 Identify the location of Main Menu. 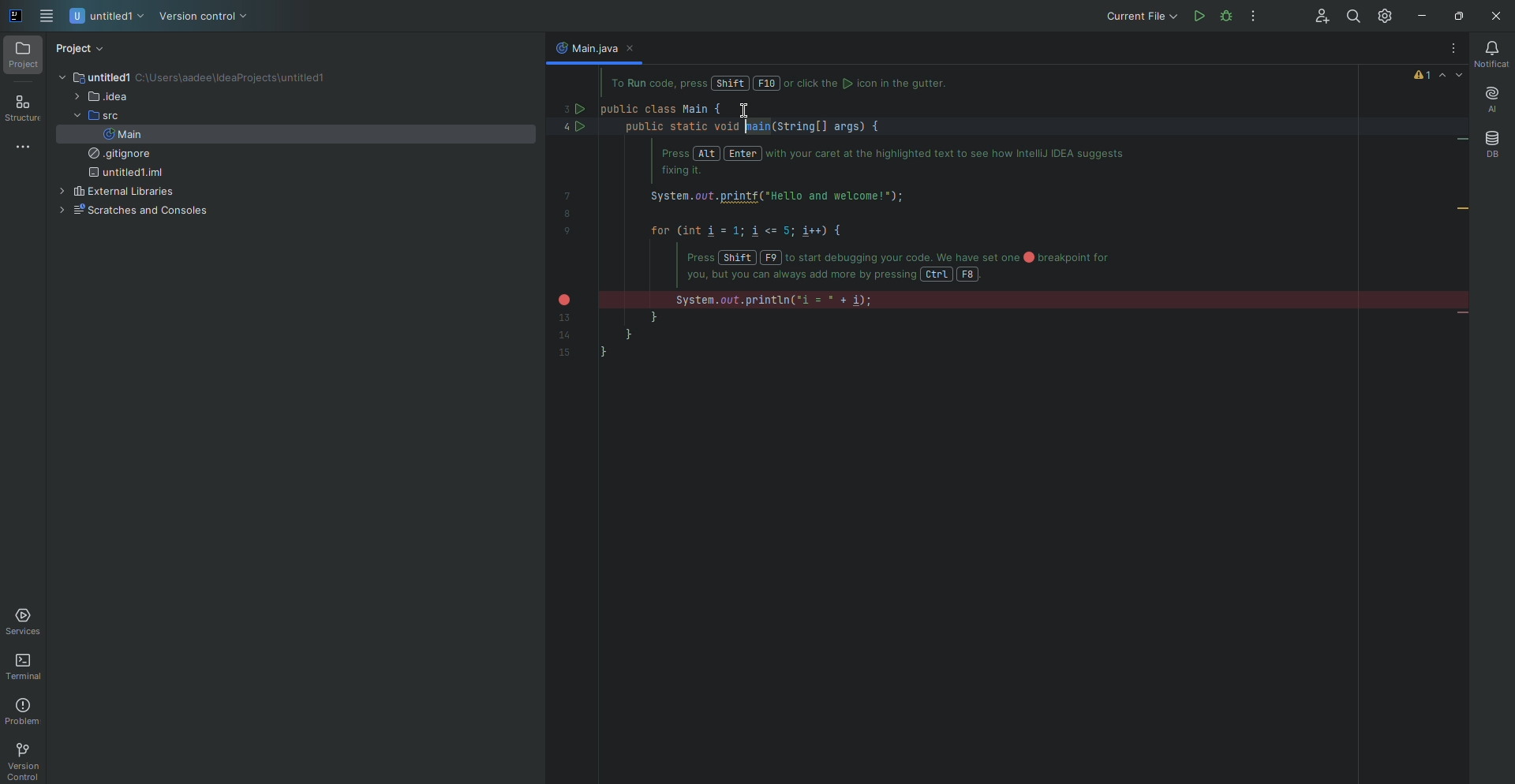
(48, 17).